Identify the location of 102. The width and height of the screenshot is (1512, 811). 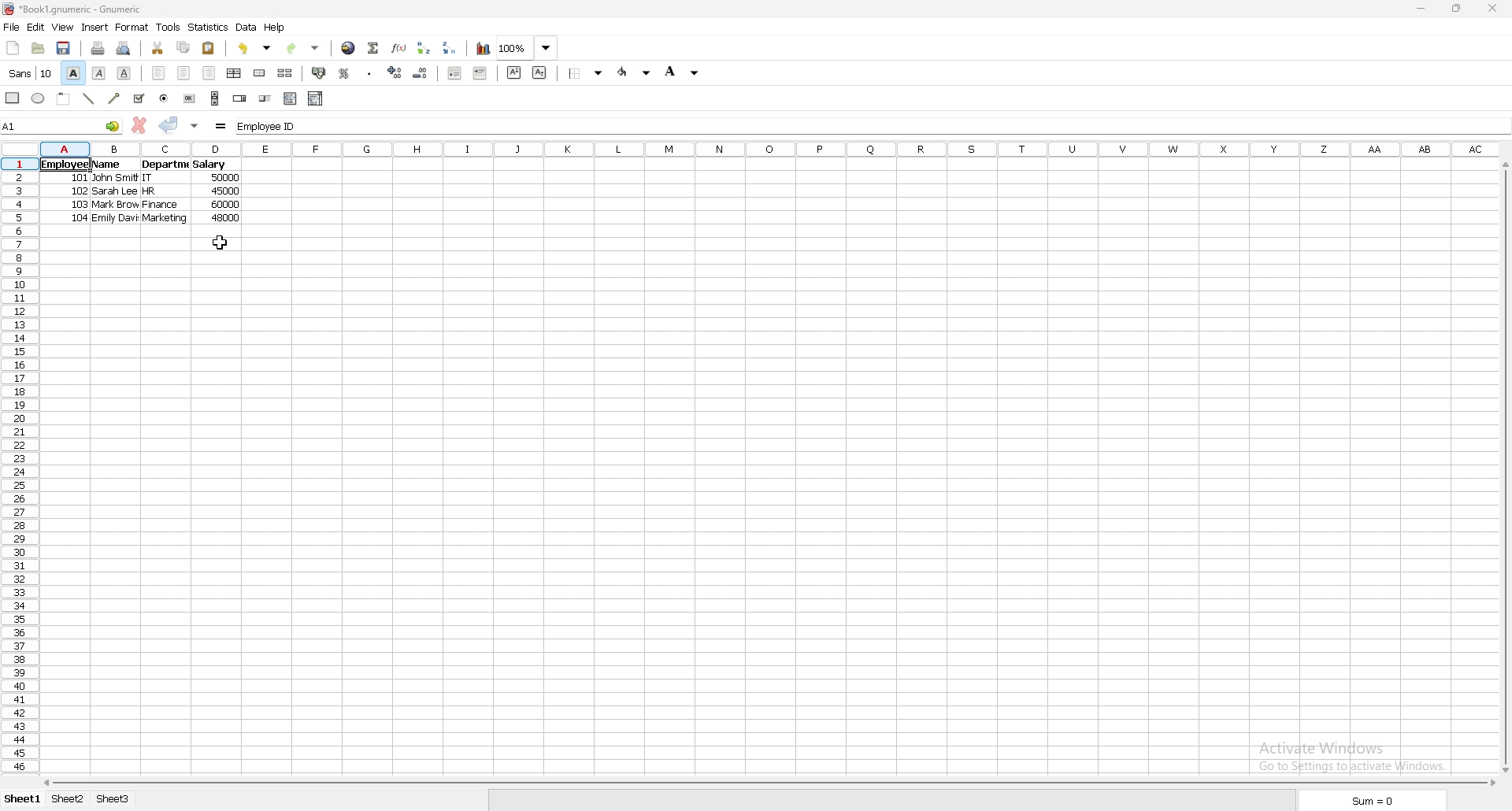
(76, 193).